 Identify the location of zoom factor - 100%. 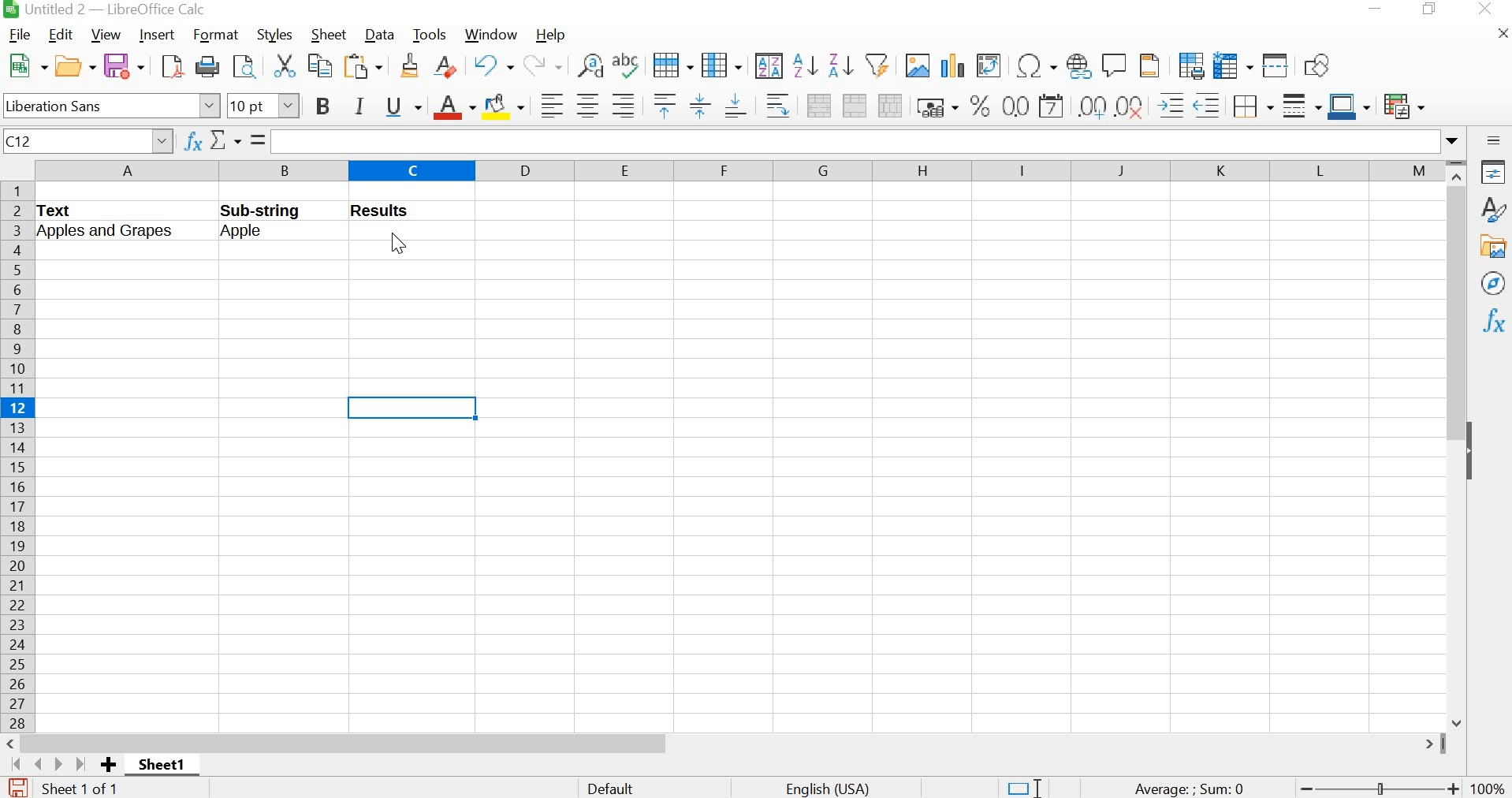
(1489, 789).